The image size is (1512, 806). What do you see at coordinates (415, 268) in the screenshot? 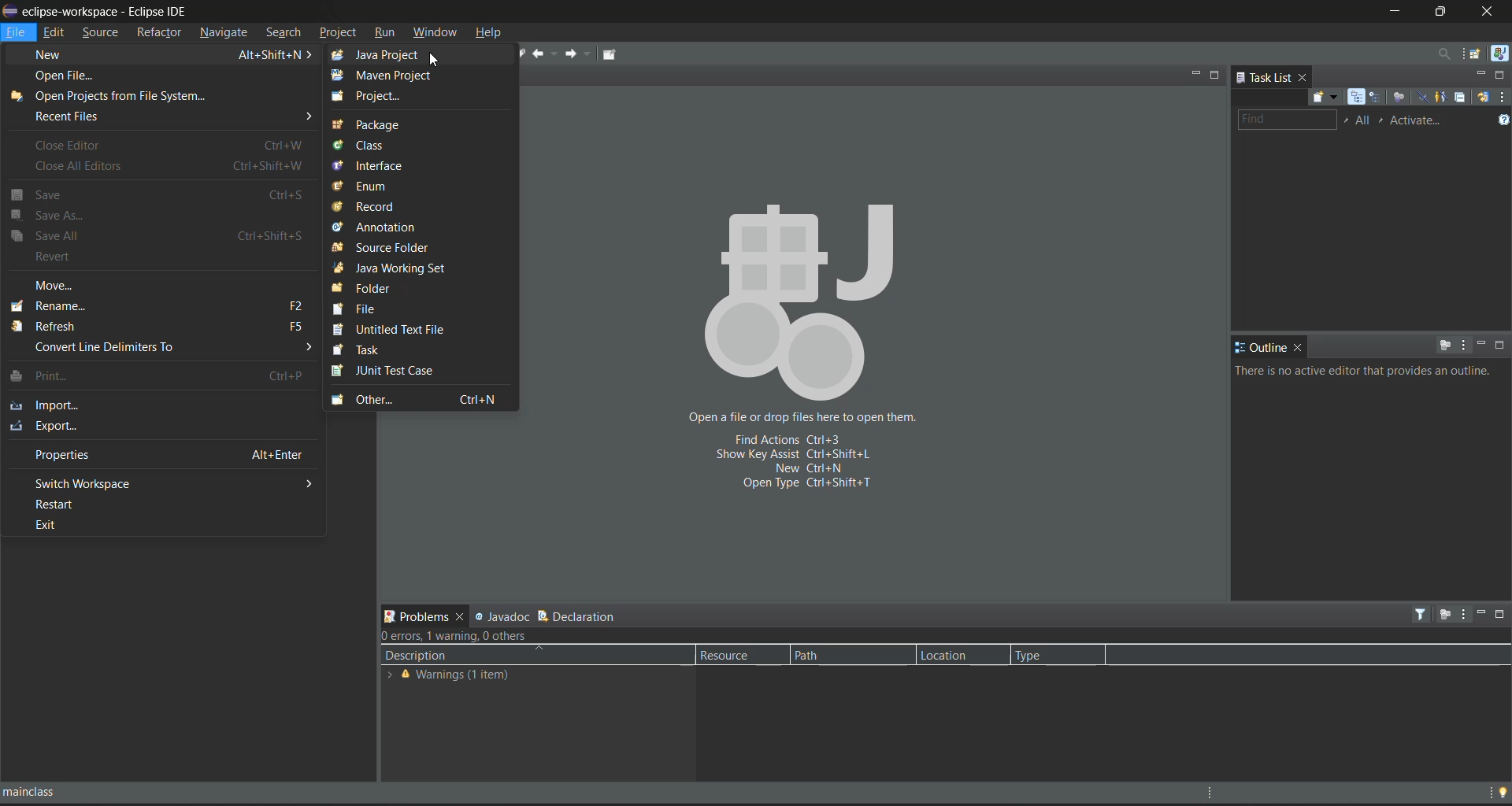
I see `java working set` at bounding box center [415, 268].